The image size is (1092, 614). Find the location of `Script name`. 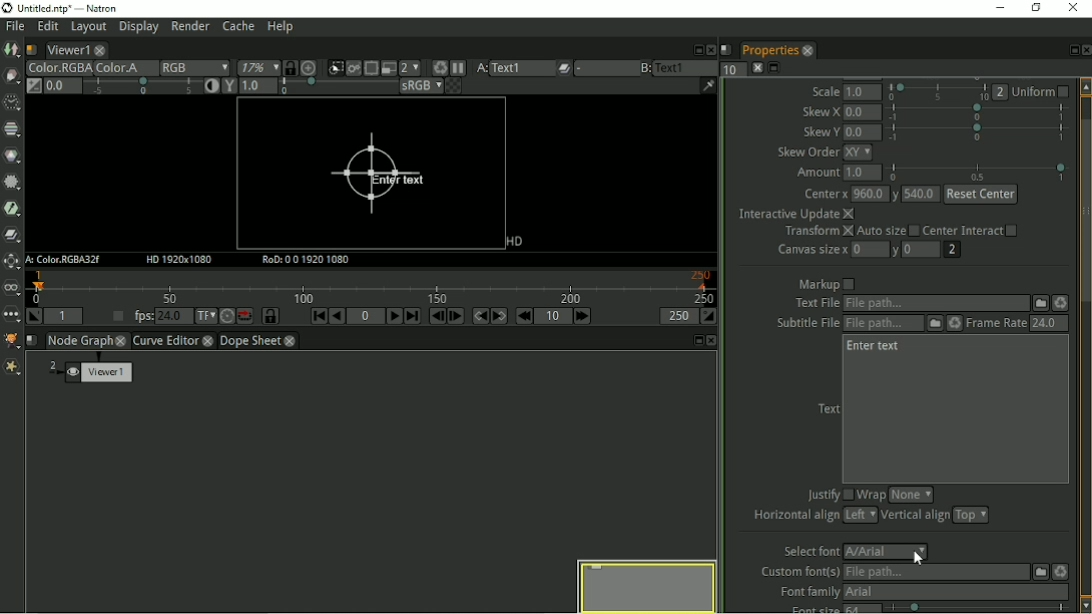

Script name is located at coordinates (726, 49).